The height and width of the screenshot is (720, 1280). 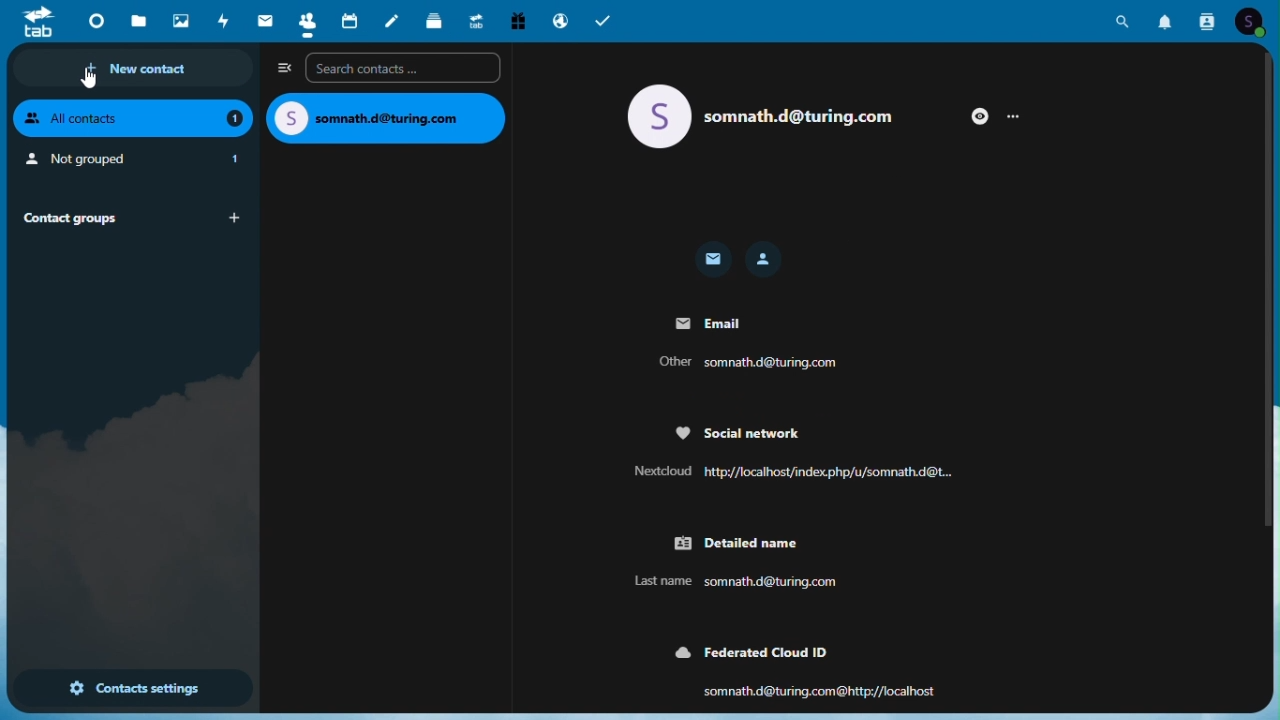 I want to click on New contact, so click(x=142, y=69).